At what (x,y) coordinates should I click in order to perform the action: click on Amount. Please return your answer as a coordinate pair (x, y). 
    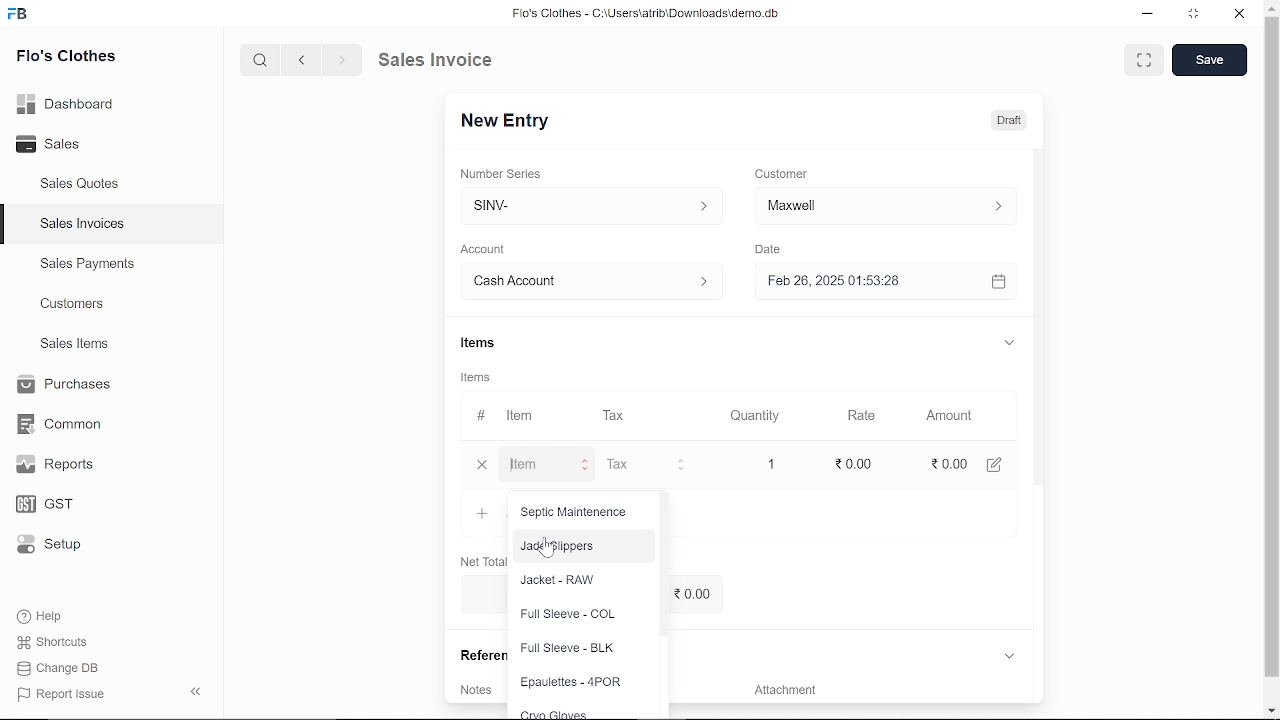
    Looking at the image, I should click on (958, 416).